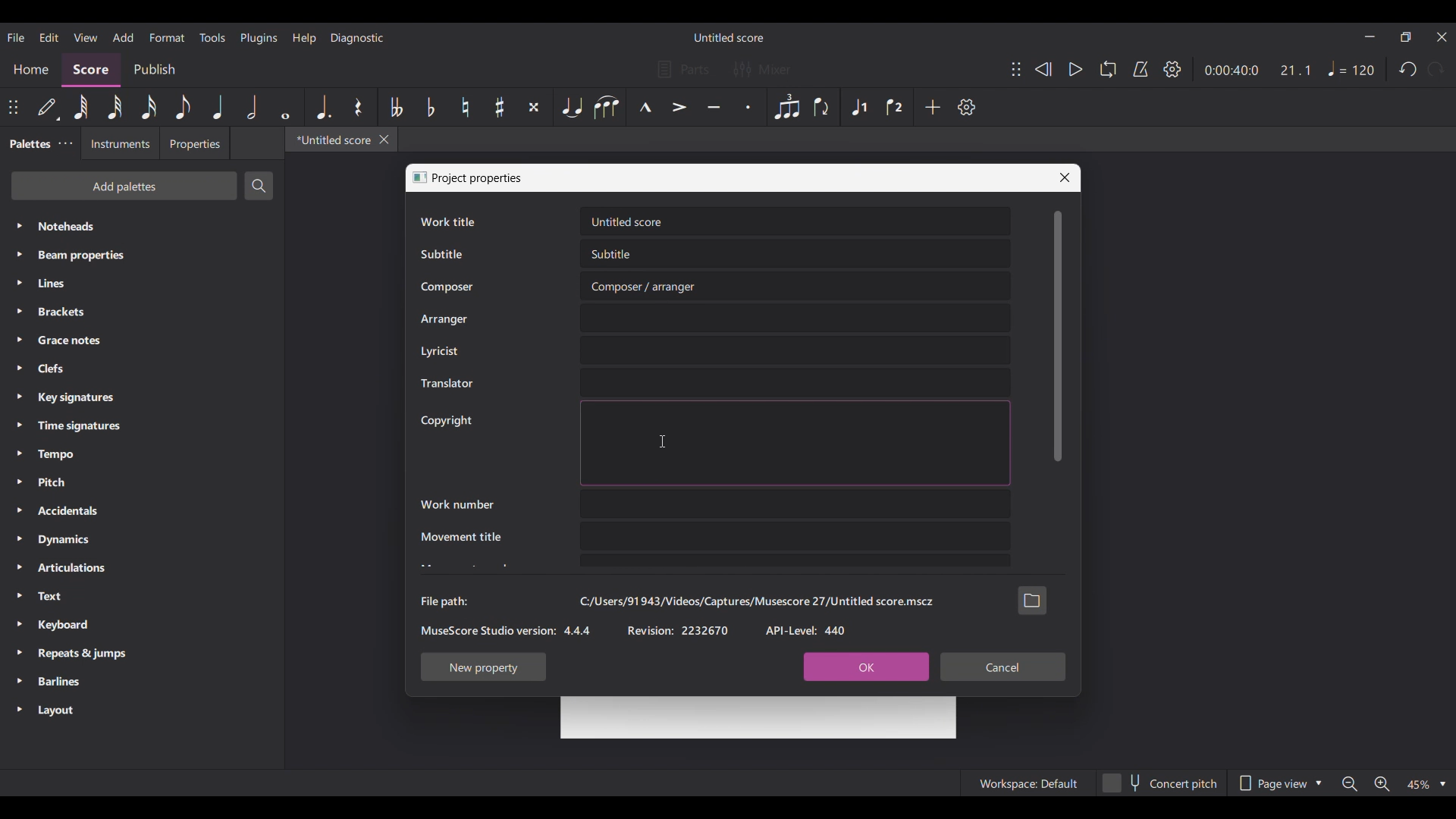 This screenshot has height=819, width=1456. What do you see at coordinates (1032, 600) in the screenshot?
I see `Browse` at bounding box center [1032, 600].